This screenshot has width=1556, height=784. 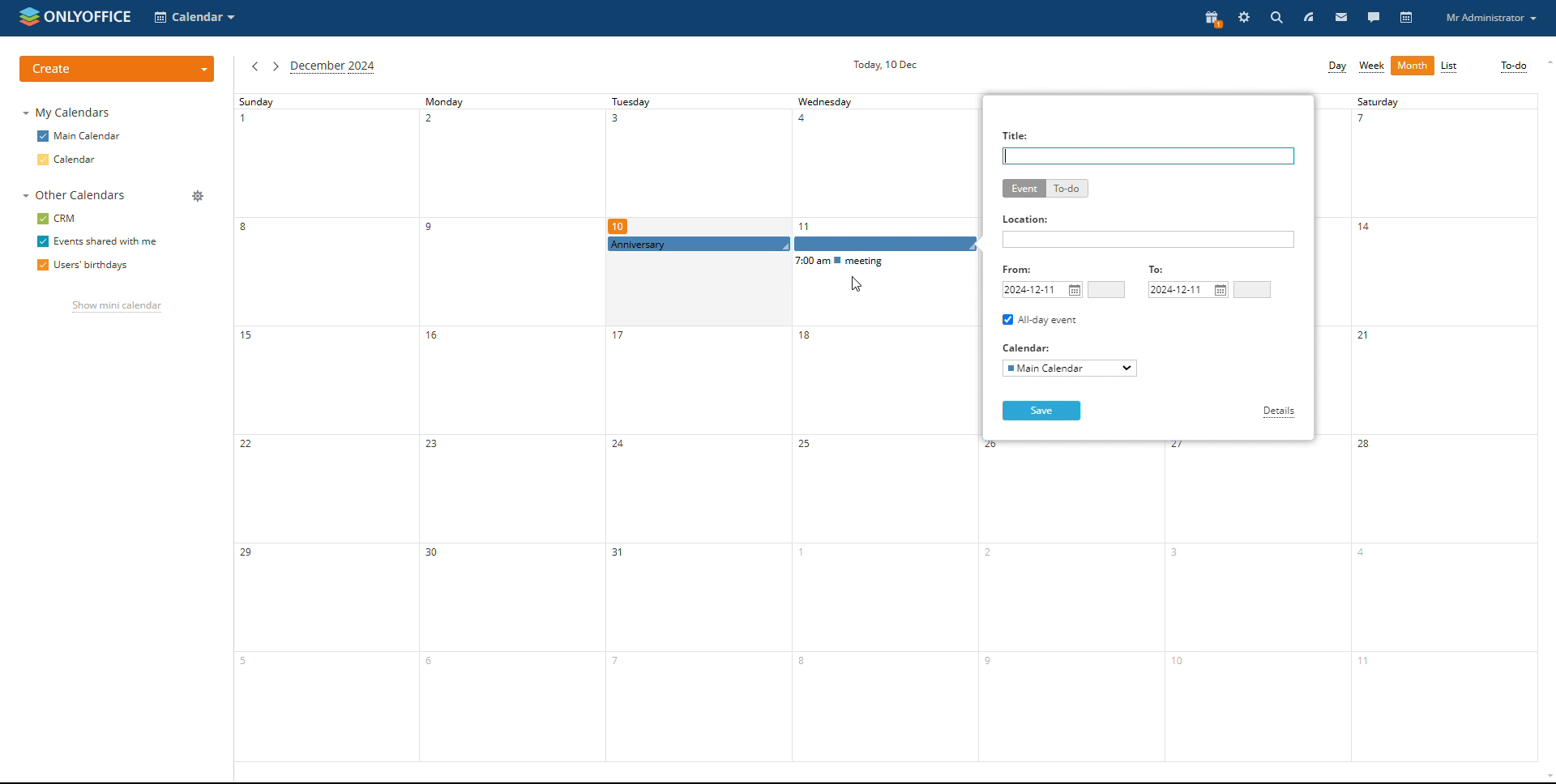 What do you see at coordinates (1546, 777) in the screenshot?
I see `scroll down` at bounding box center [1546, 777].